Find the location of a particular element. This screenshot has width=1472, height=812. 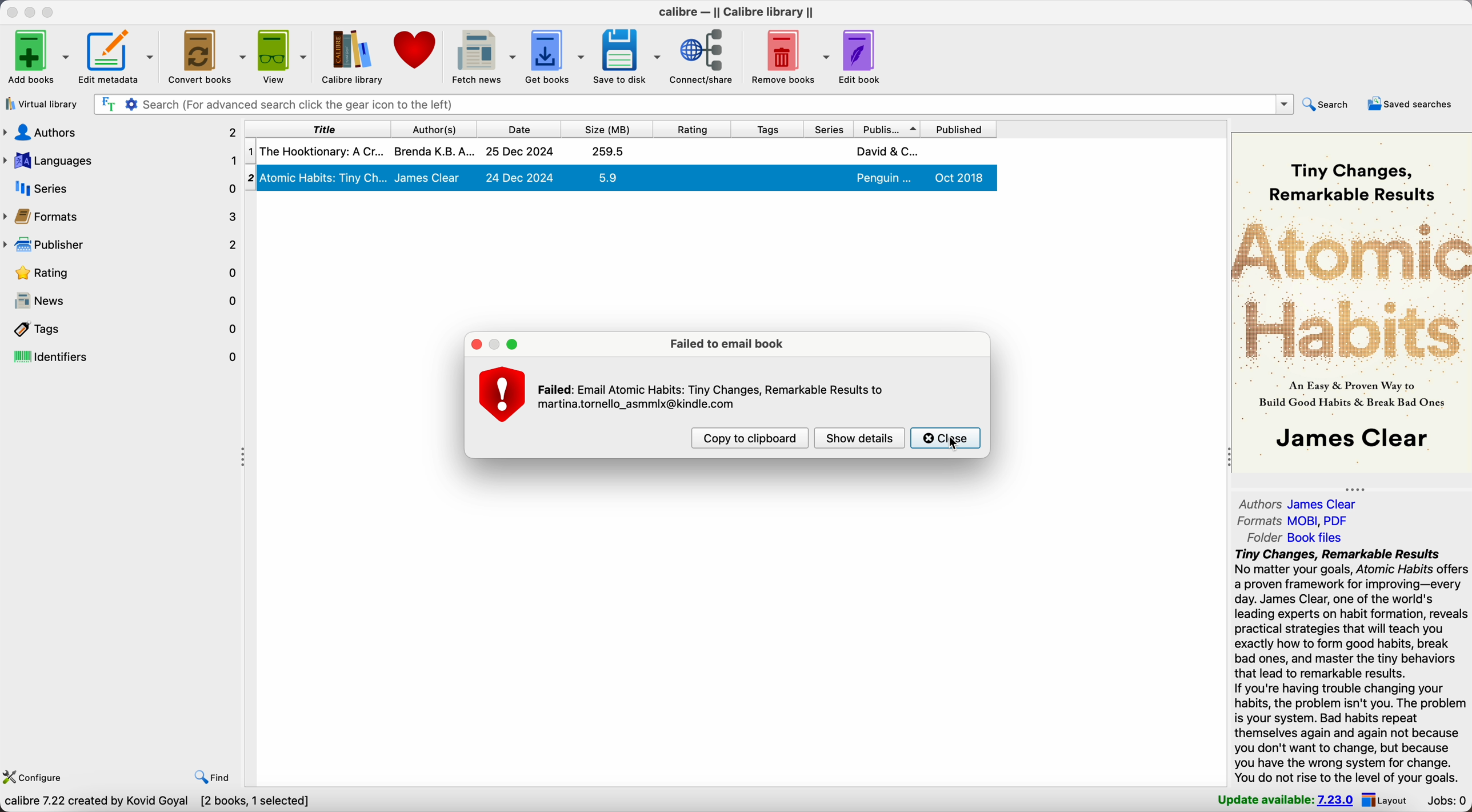

show details is located at coordinates (861, 438).